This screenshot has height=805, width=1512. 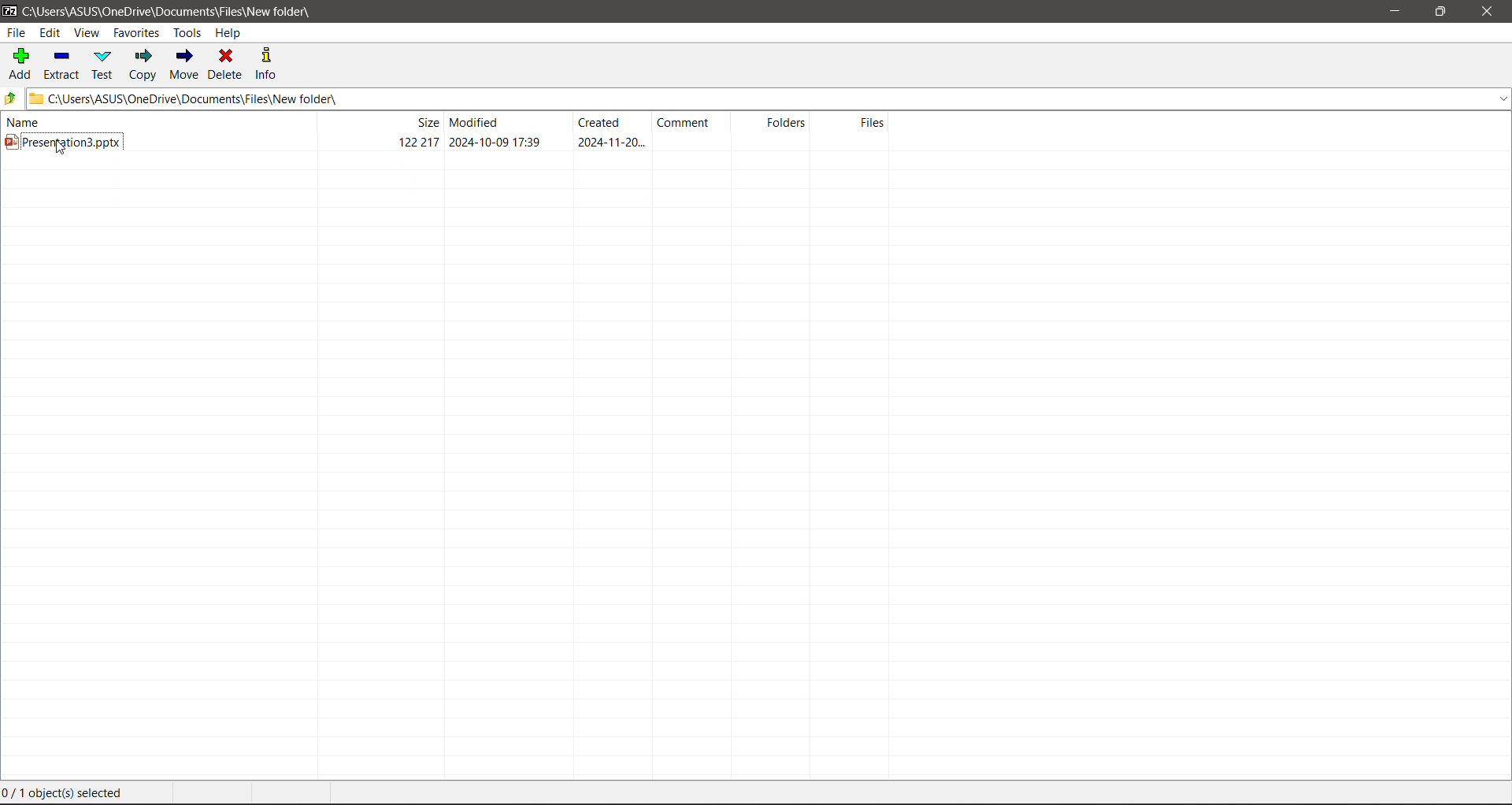 I want to click on Move Up one level, so click(x=10, y=98).